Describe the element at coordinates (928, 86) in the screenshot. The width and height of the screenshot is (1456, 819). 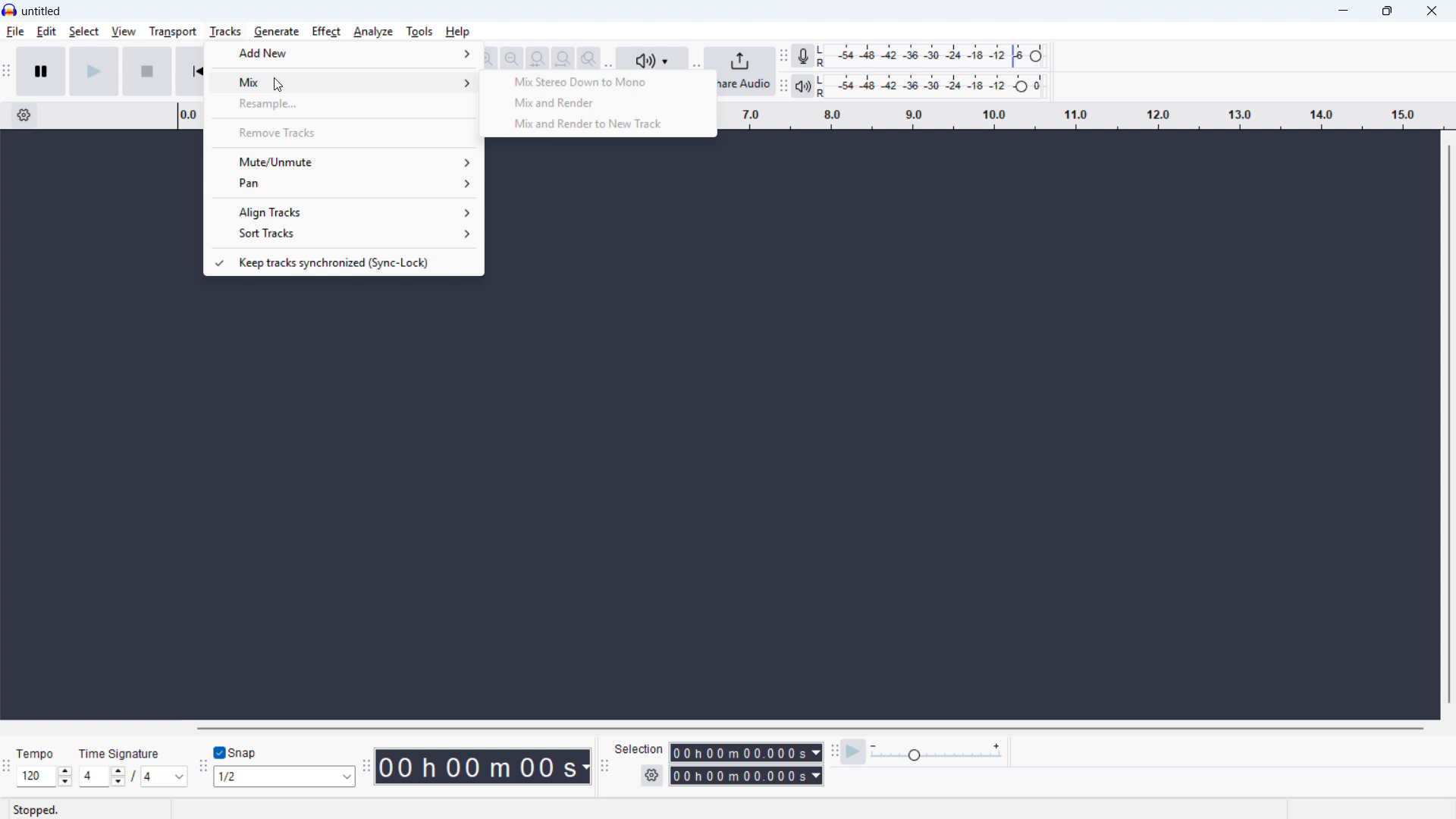
I see `Playback level ` at that location.